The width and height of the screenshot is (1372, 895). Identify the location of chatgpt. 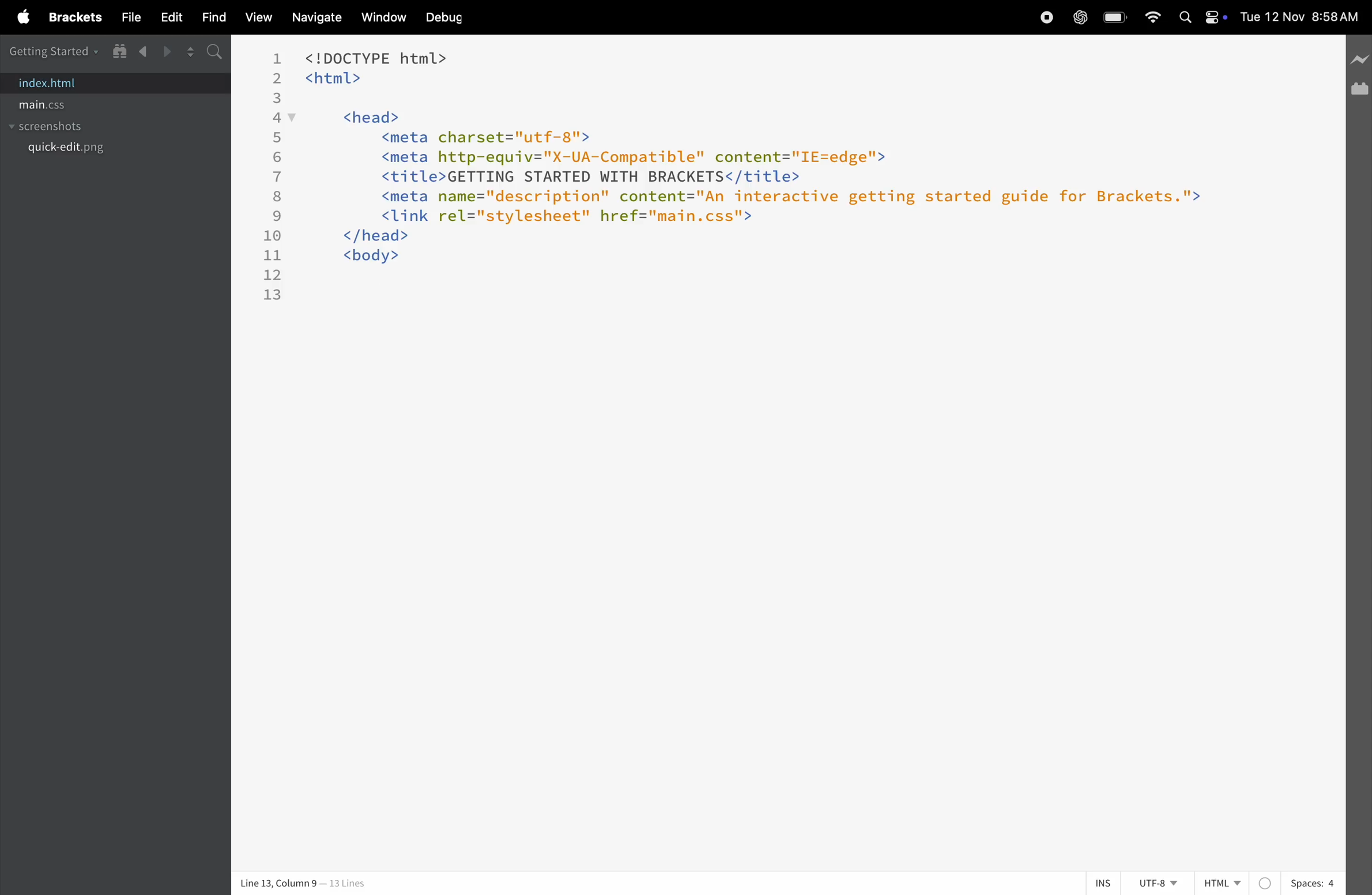
(1079, 17).